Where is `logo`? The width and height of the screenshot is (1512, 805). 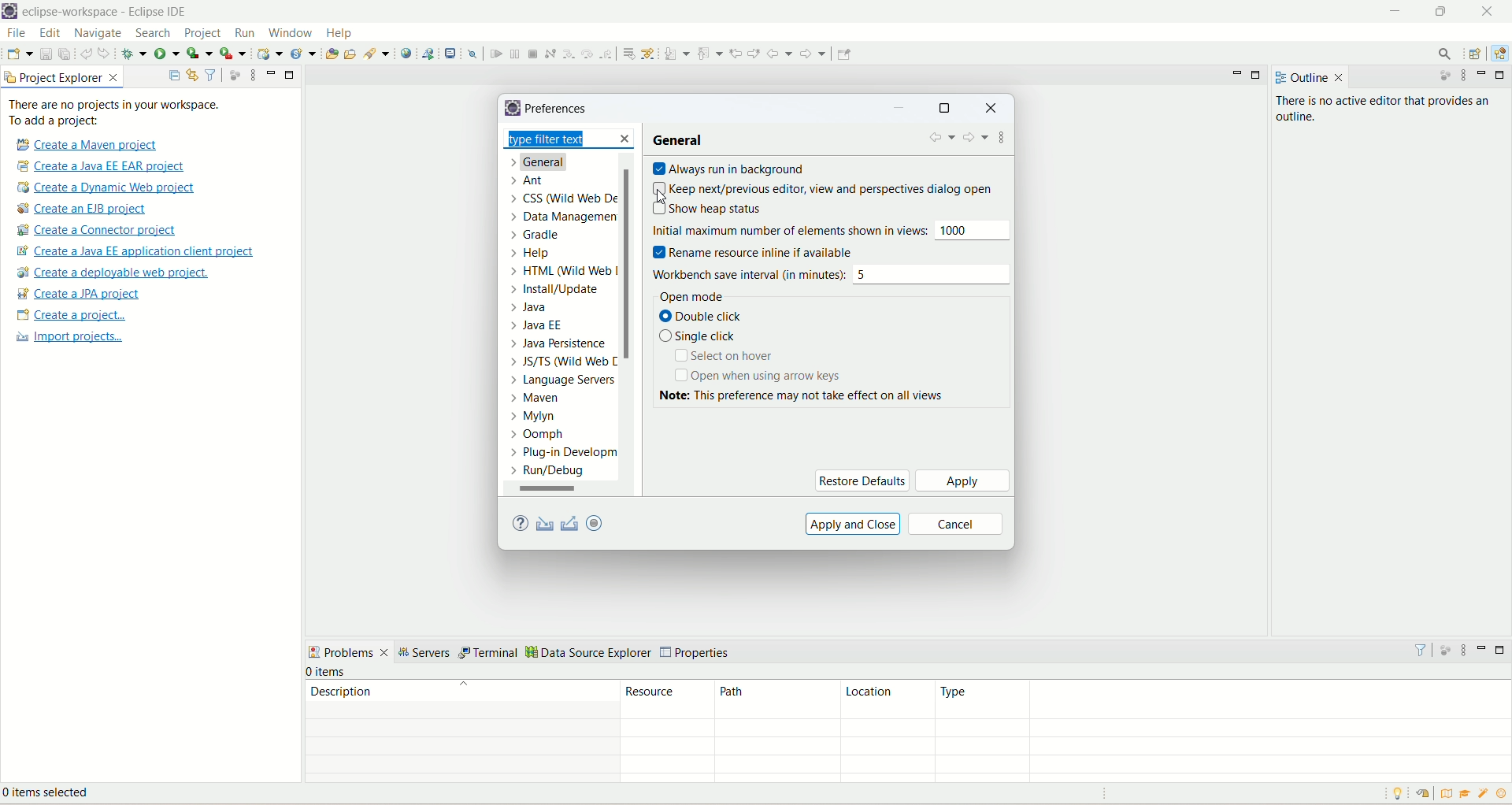
logo is located at coordinates (511, 107).